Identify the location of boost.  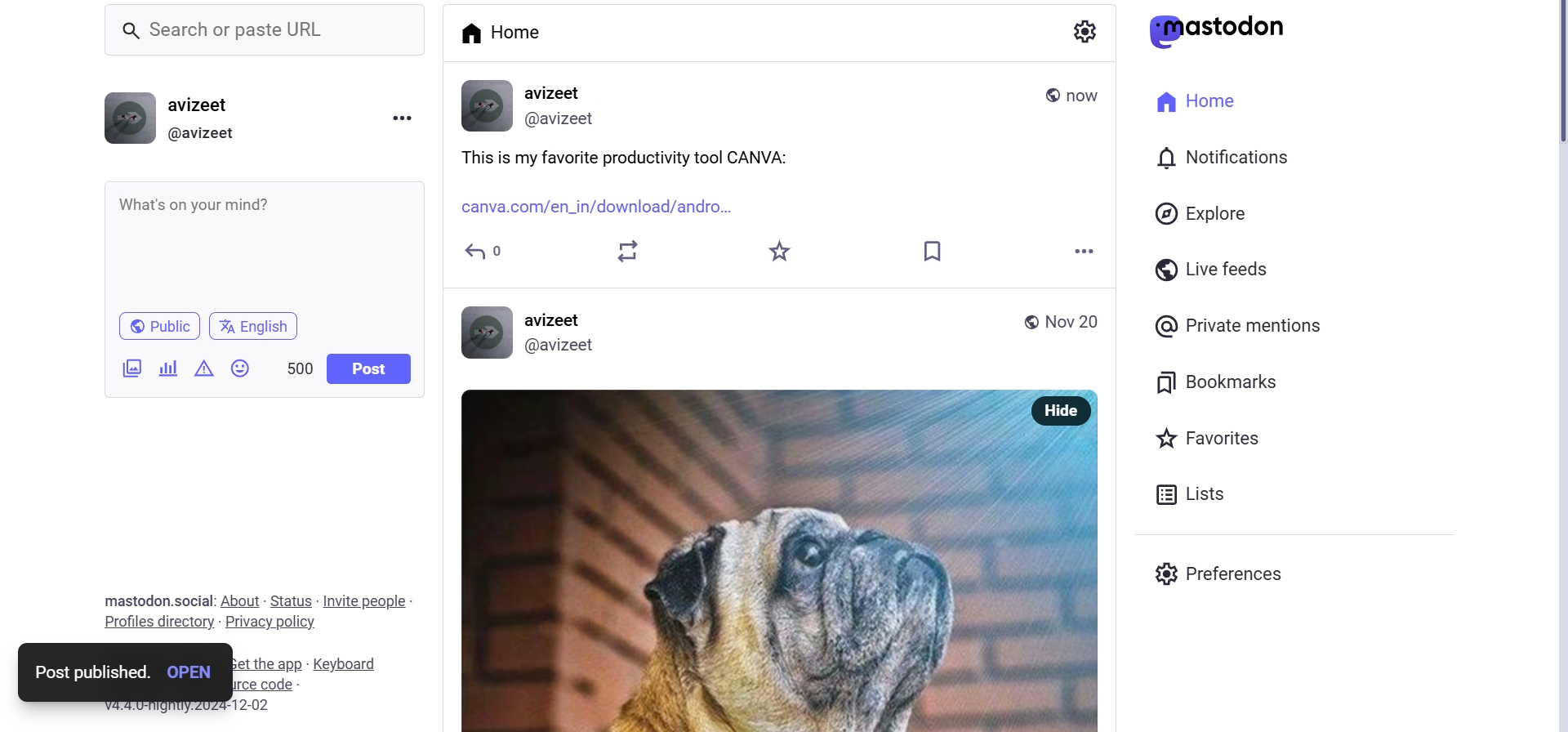
(633, 252).